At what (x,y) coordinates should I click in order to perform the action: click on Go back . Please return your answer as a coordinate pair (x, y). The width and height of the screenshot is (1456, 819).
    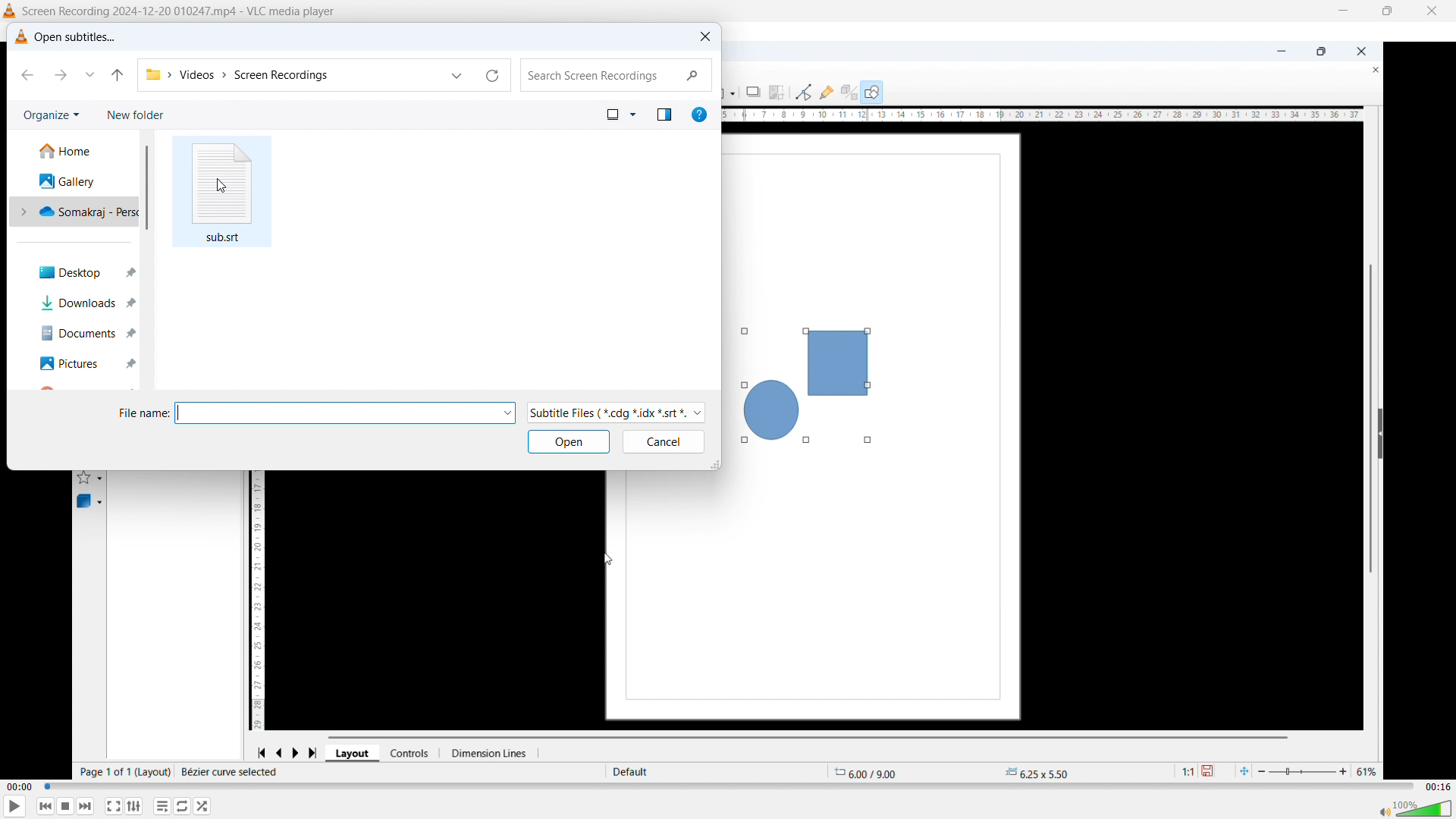
    Looking at the image, I should click on (30, 77).